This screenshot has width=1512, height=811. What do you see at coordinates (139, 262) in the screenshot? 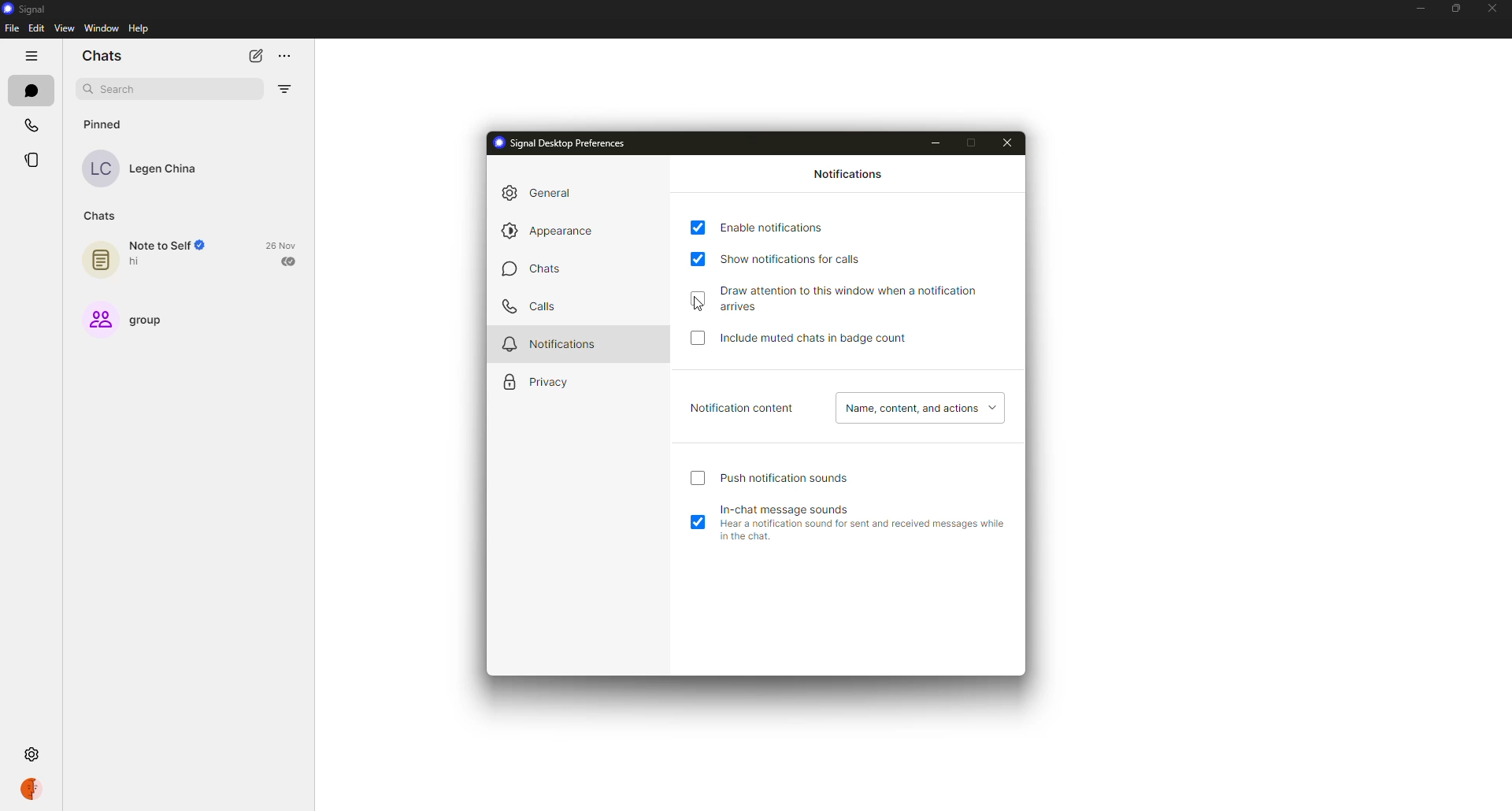
I see `hi` at bounding box center [139, 262].